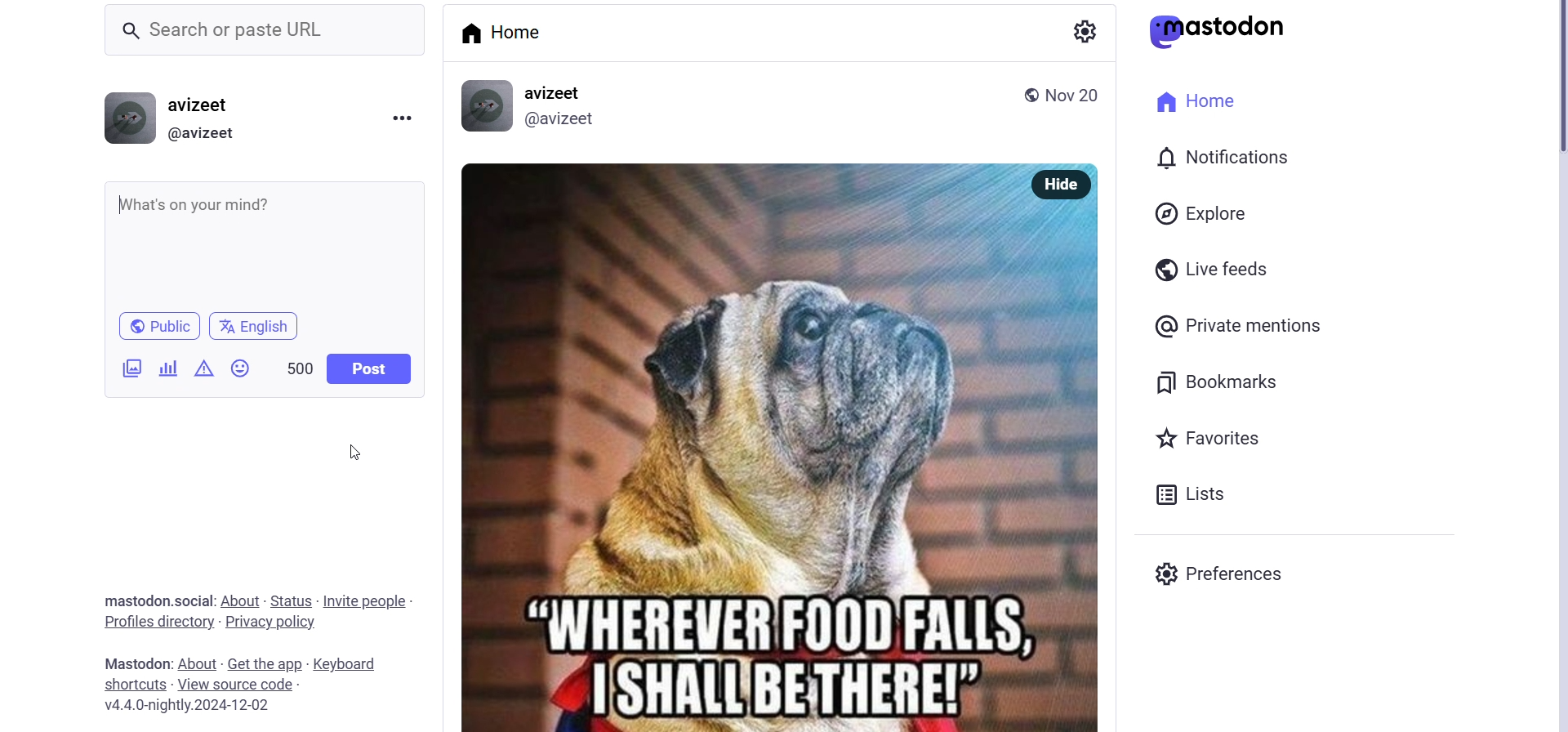  Describe the element at coordinates (1548, 85) in the screenshot. I see `scroll bar` at that location.